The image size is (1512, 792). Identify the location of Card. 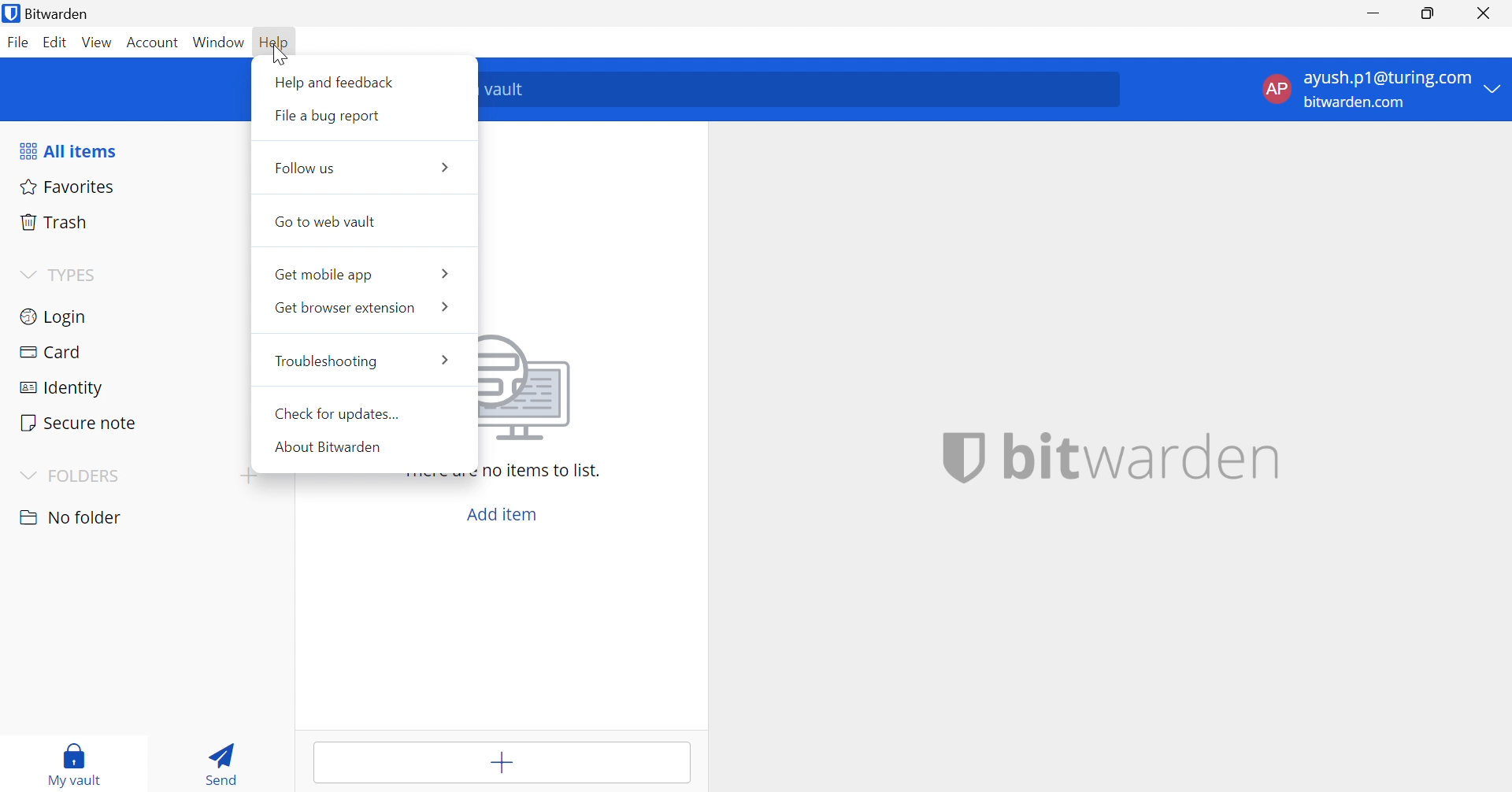
(130, 354).